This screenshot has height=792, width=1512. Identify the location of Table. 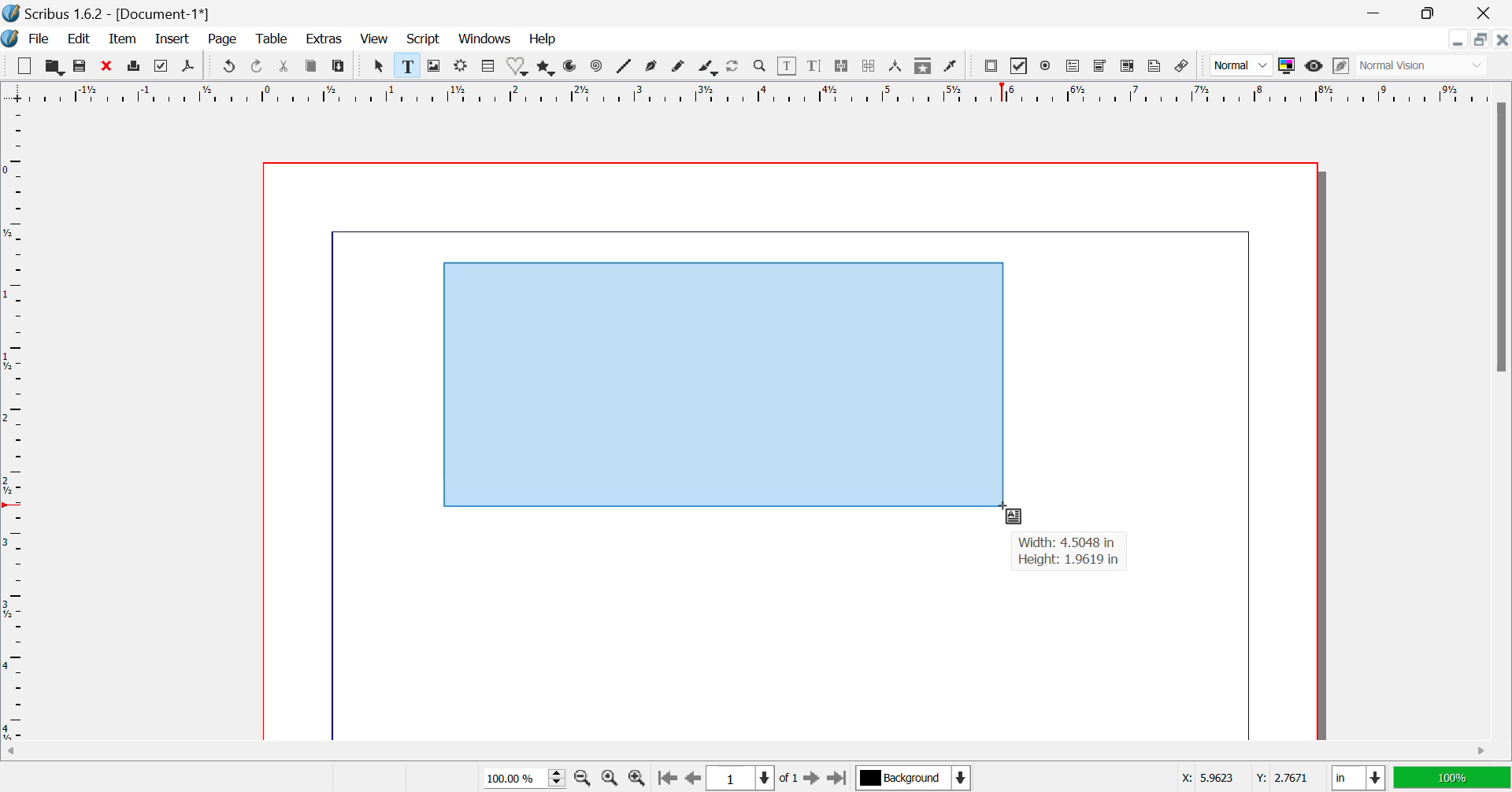
(488, 67).